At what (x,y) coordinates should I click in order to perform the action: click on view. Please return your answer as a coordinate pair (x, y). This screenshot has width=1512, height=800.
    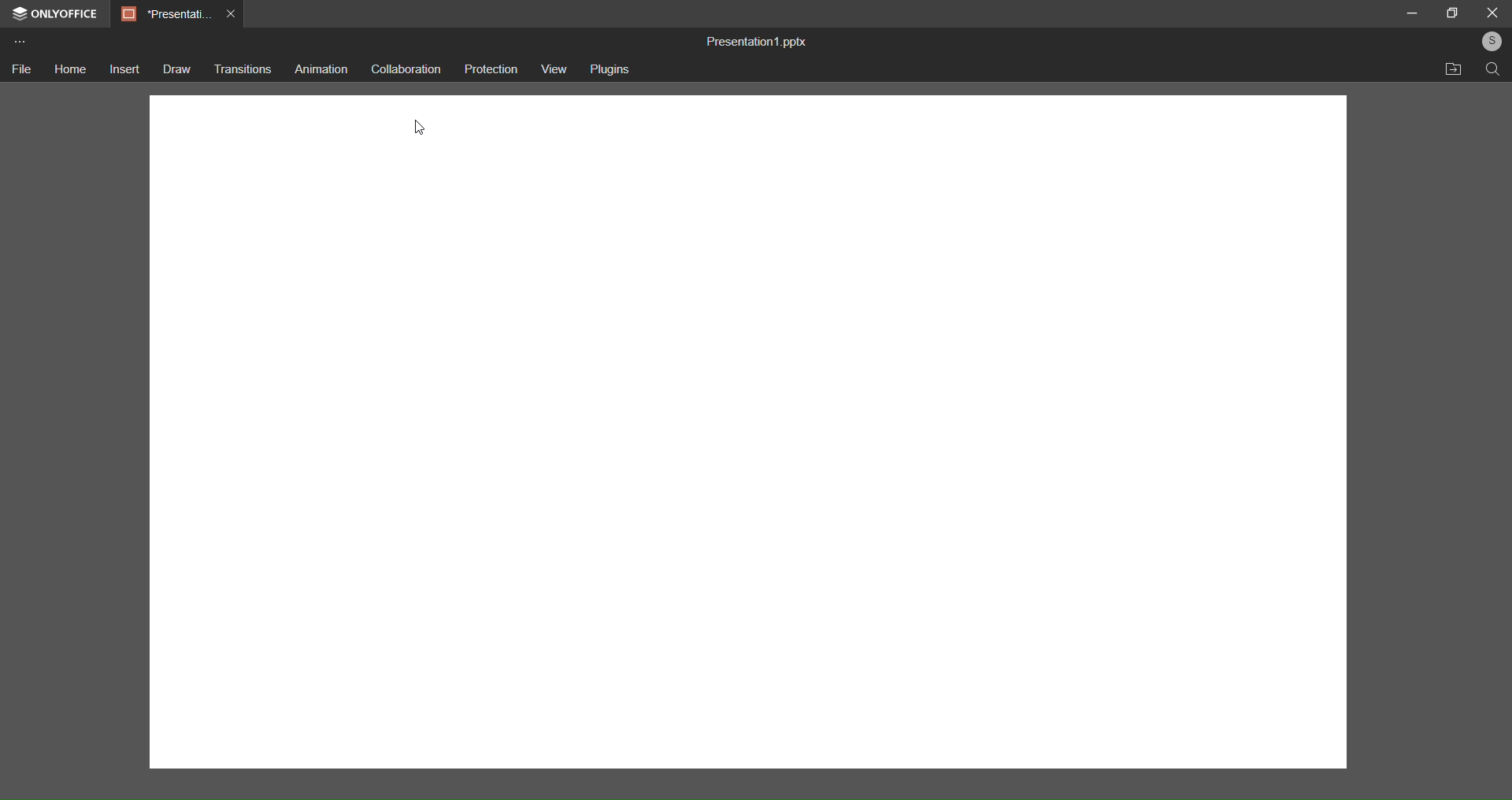
    Looking at the image, I should click on (554, 69).